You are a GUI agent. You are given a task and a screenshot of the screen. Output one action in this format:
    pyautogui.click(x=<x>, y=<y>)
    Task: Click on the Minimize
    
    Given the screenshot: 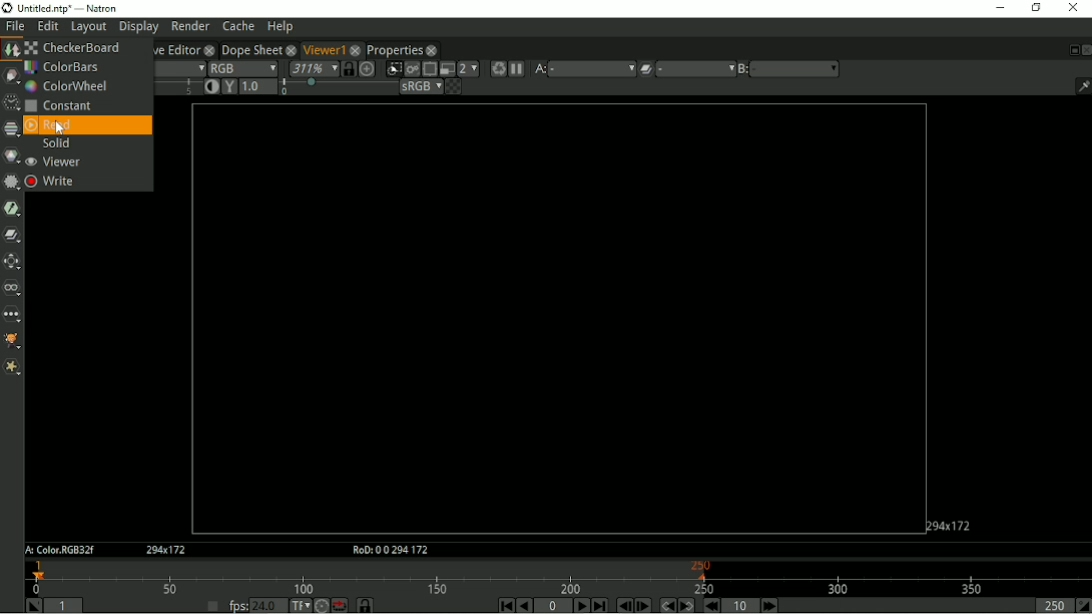 What is the action you would take?
    pyautogui.click(x=997, y=10)
    